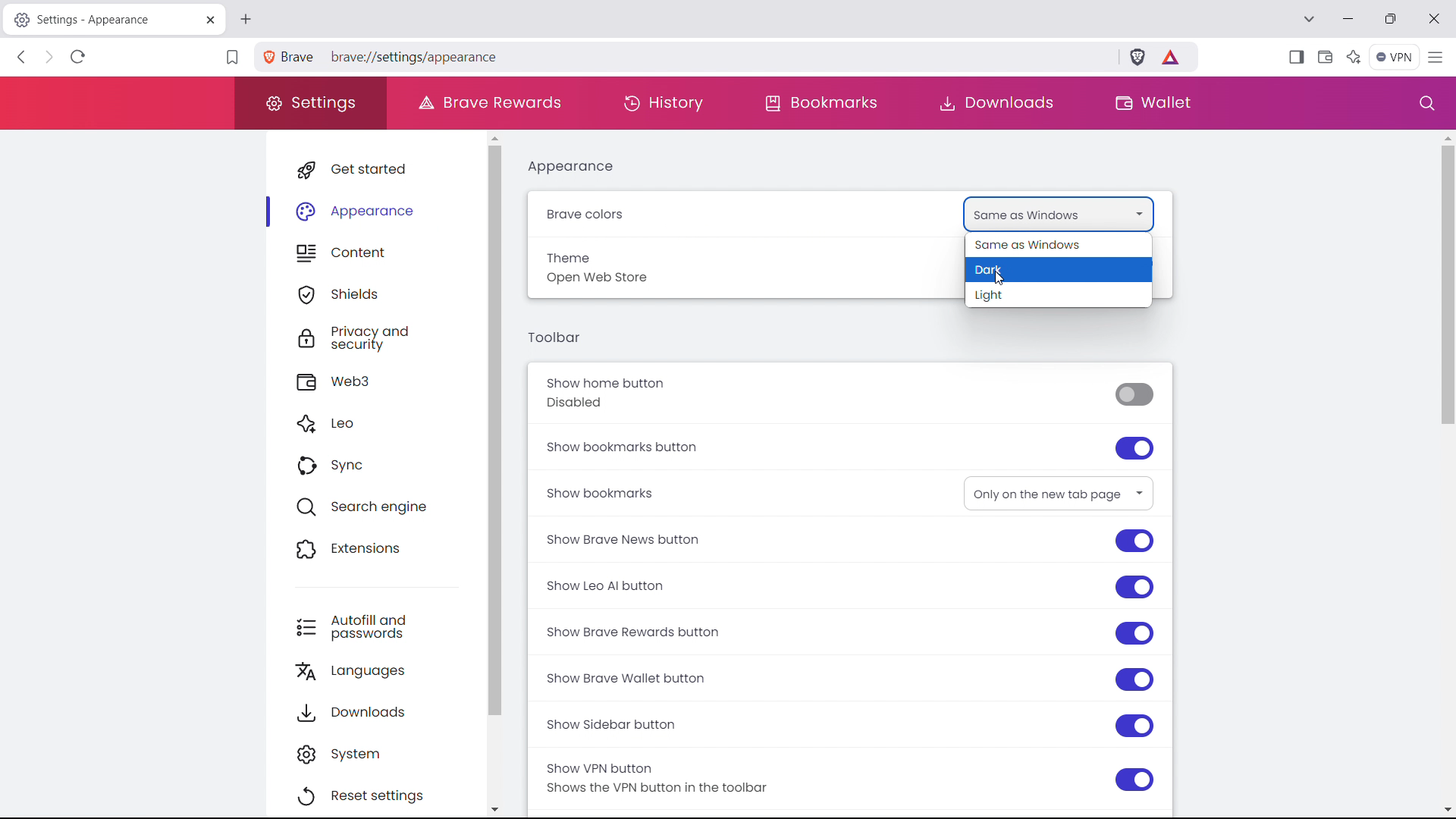  Describe the element at coordinates (504, 805) in the screenshot. I see `scroll down` at that location.